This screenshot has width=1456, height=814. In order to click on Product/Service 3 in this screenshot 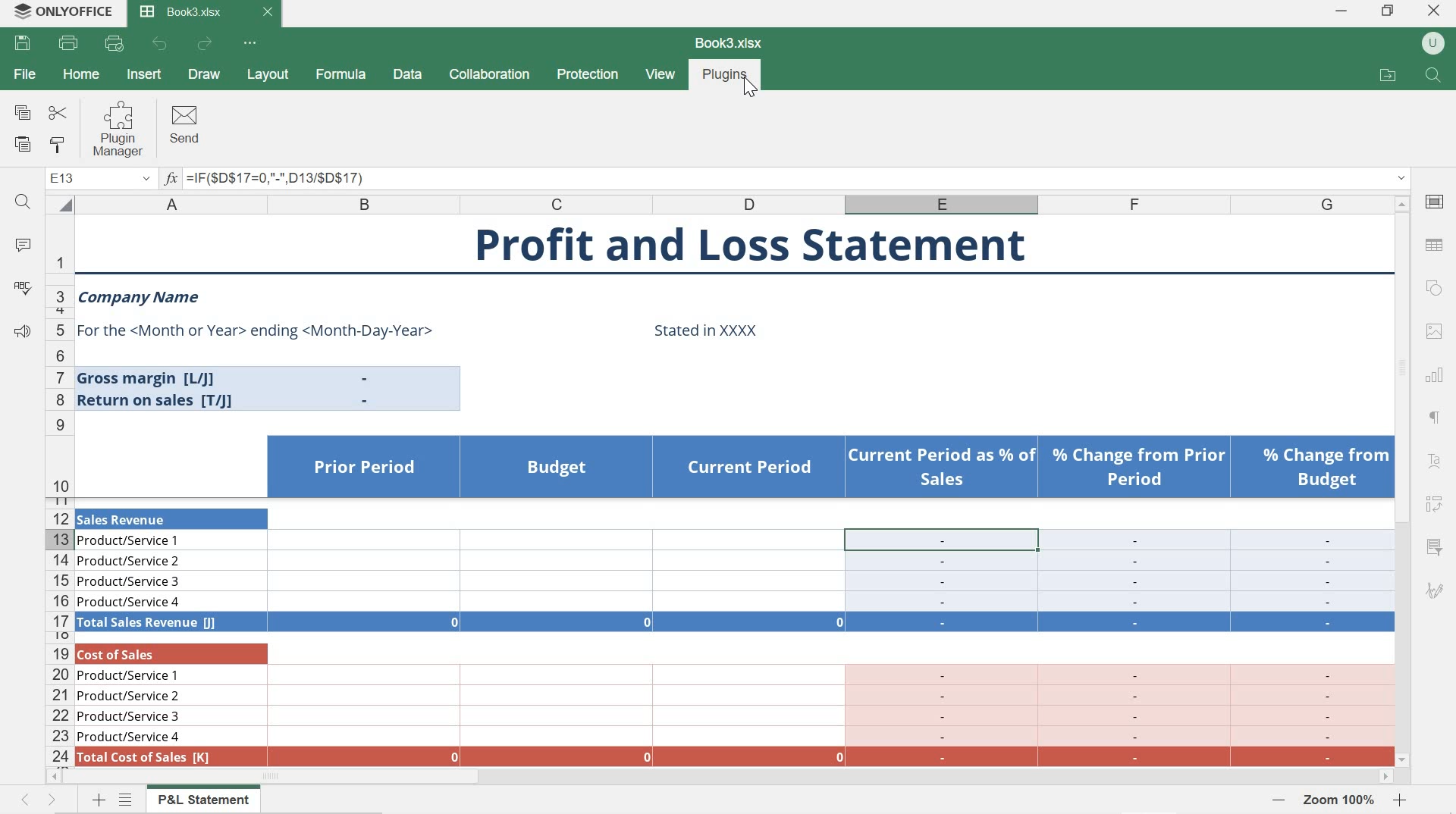, I will do `click(130, 582)`.